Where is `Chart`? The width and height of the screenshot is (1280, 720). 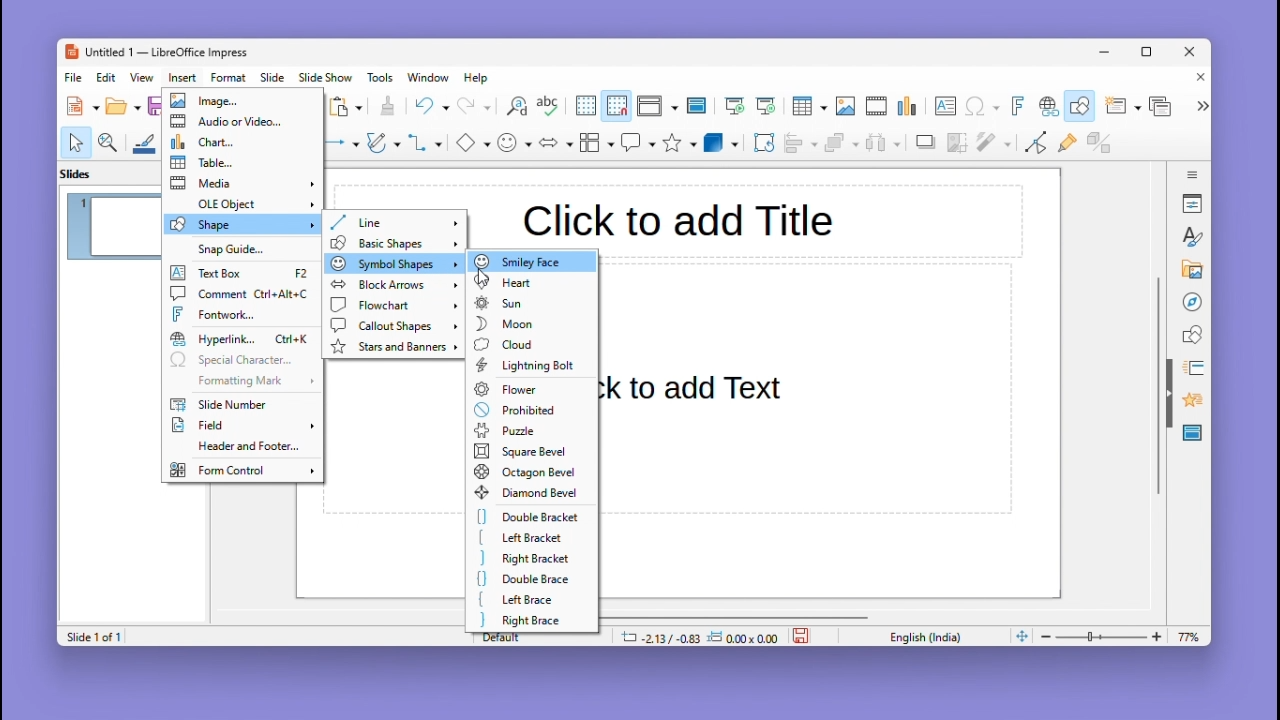 Chart is located at coordinates (241, 141).